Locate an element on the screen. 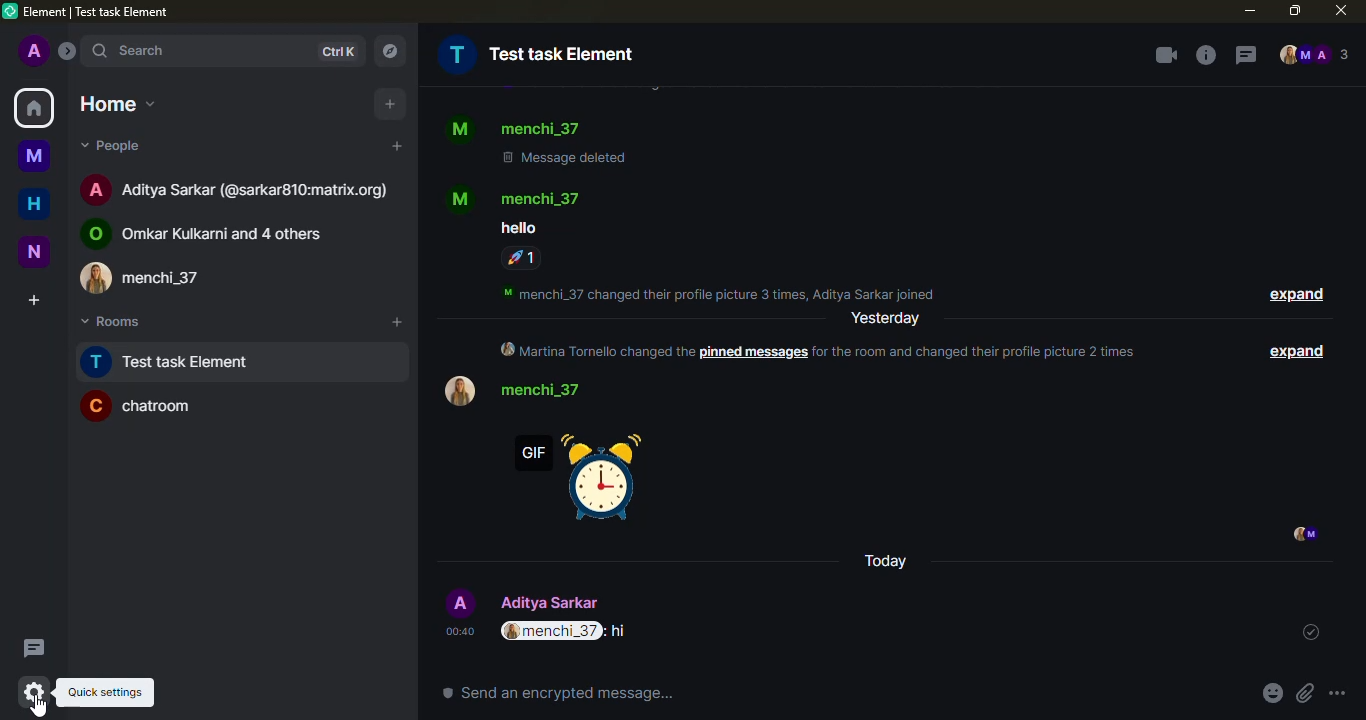  minimize is located at coordinates (1249, 11).